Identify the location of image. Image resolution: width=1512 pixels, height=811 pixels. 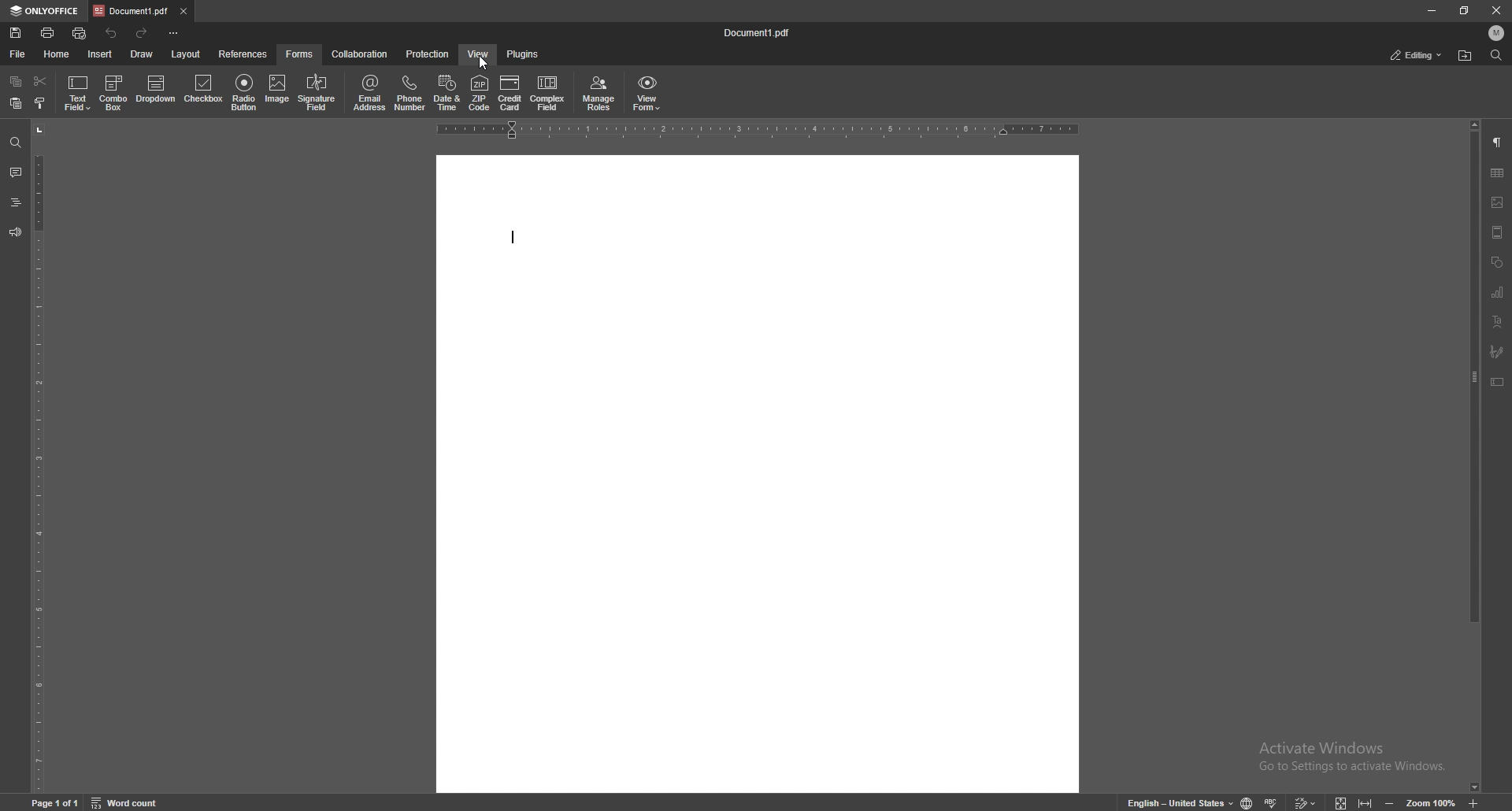
(1498, 202).